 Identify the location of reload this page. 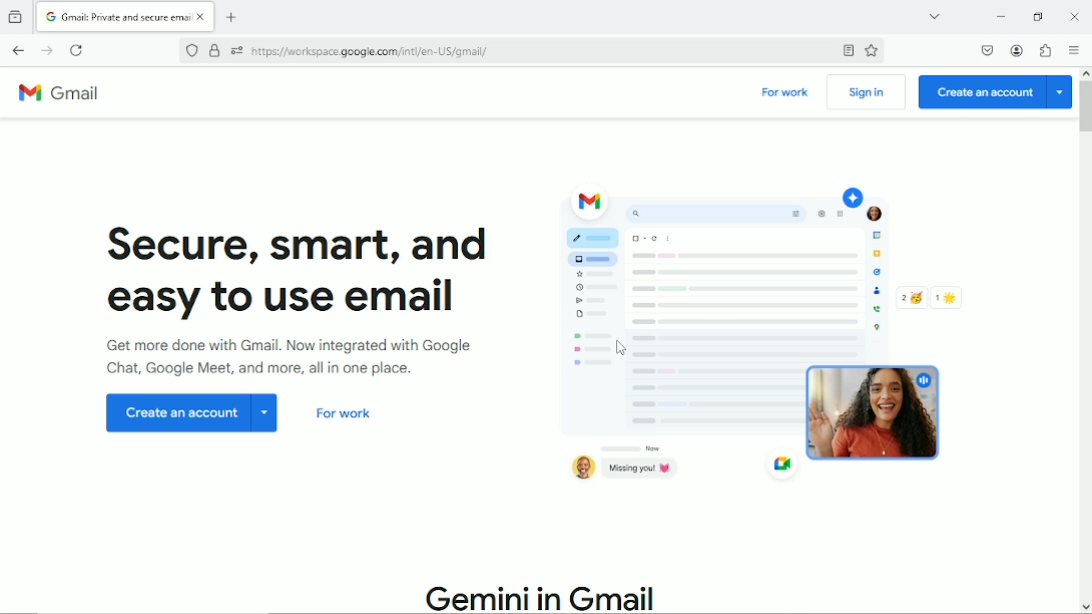
(77, 50).